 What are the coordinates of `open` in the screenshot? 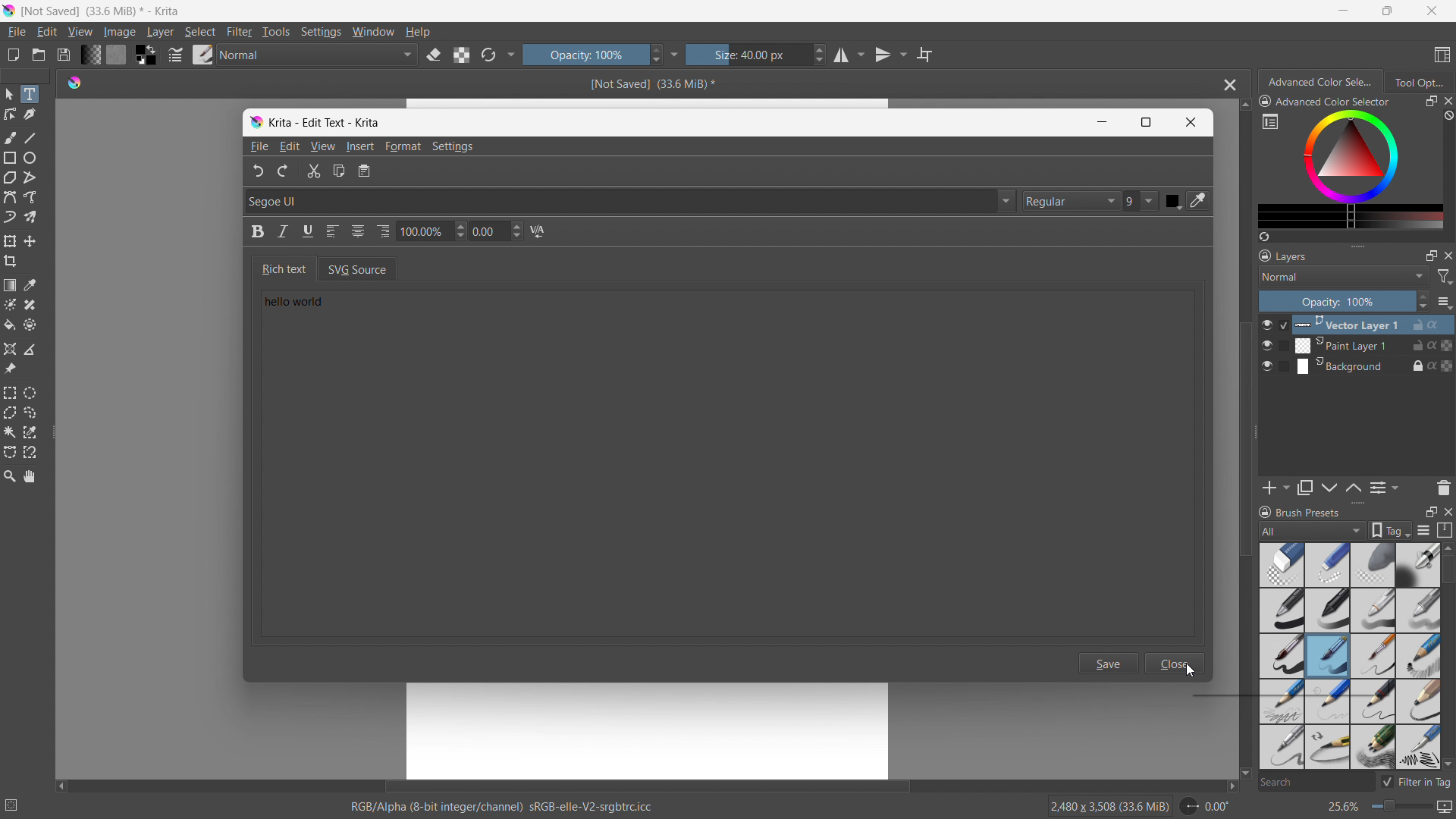 It's located at (39, 55).